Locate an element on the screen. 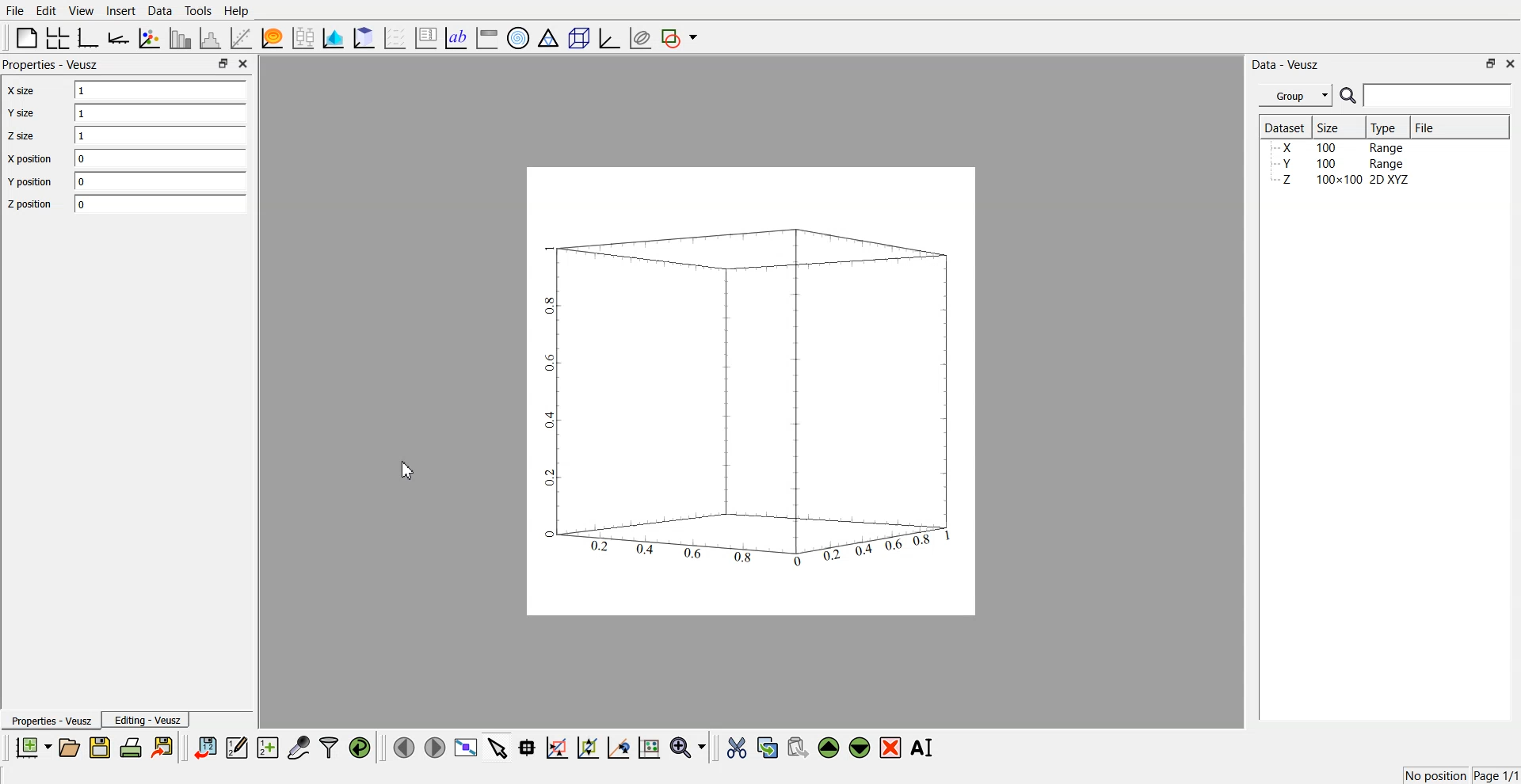 The height and width of the screenshot is (784, 1521). Plot a vector field is located at coordinates (395, 39).